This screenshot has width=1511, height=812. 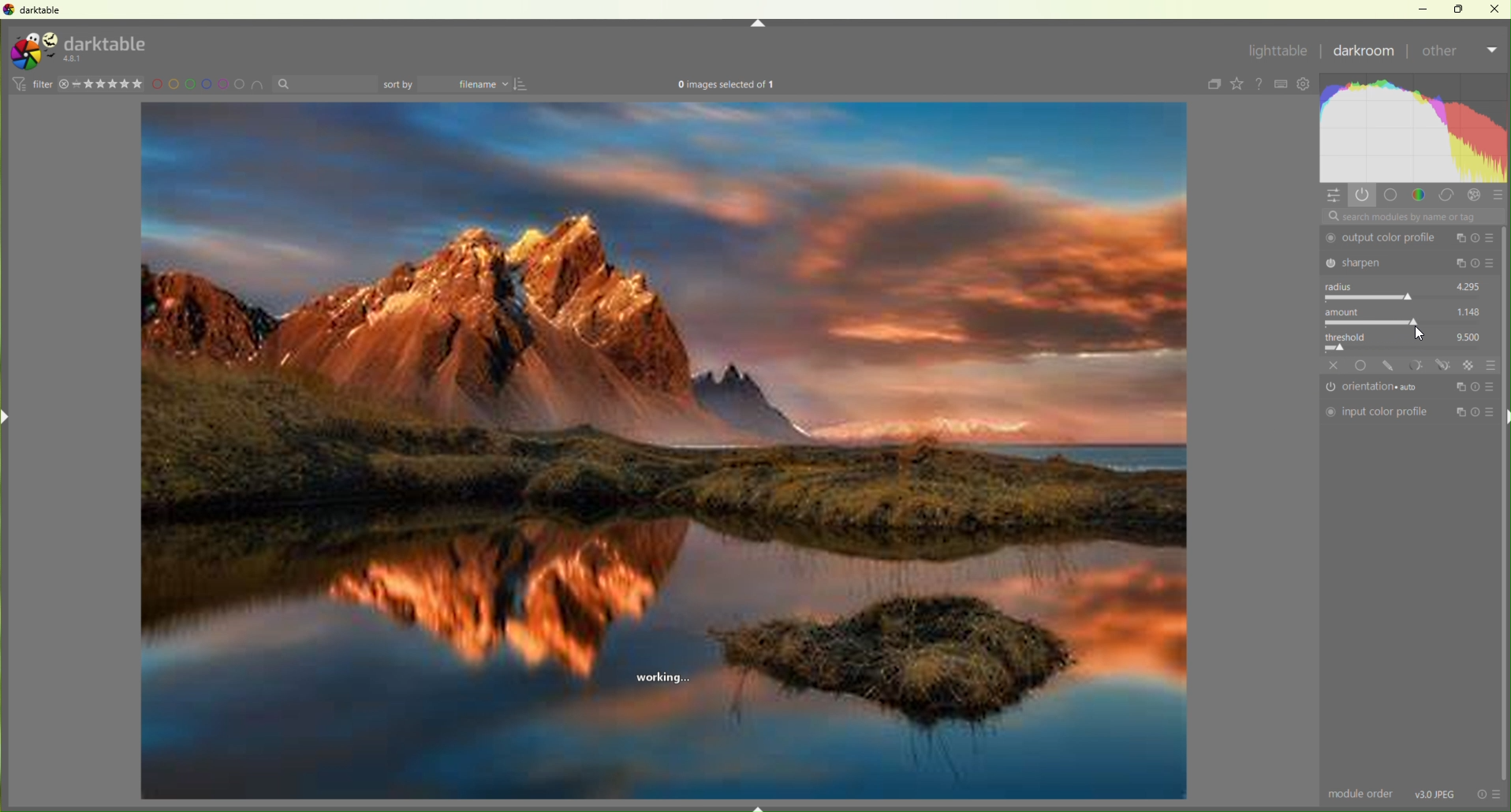 I want to click on text, so click(x=726, y=86).